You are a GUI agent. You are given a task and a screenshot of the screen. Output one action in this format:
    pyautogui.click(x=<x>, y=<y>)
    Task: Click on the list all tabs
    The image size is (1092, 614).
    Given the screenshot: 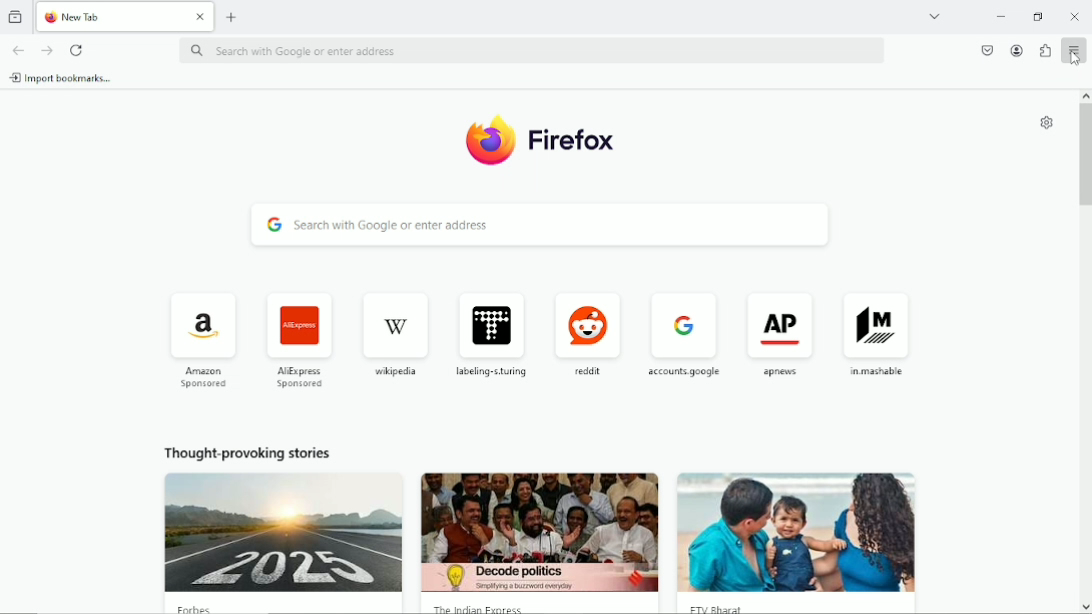 What is the action you would take?
    pyautogui.click(x=934, y=16)
    